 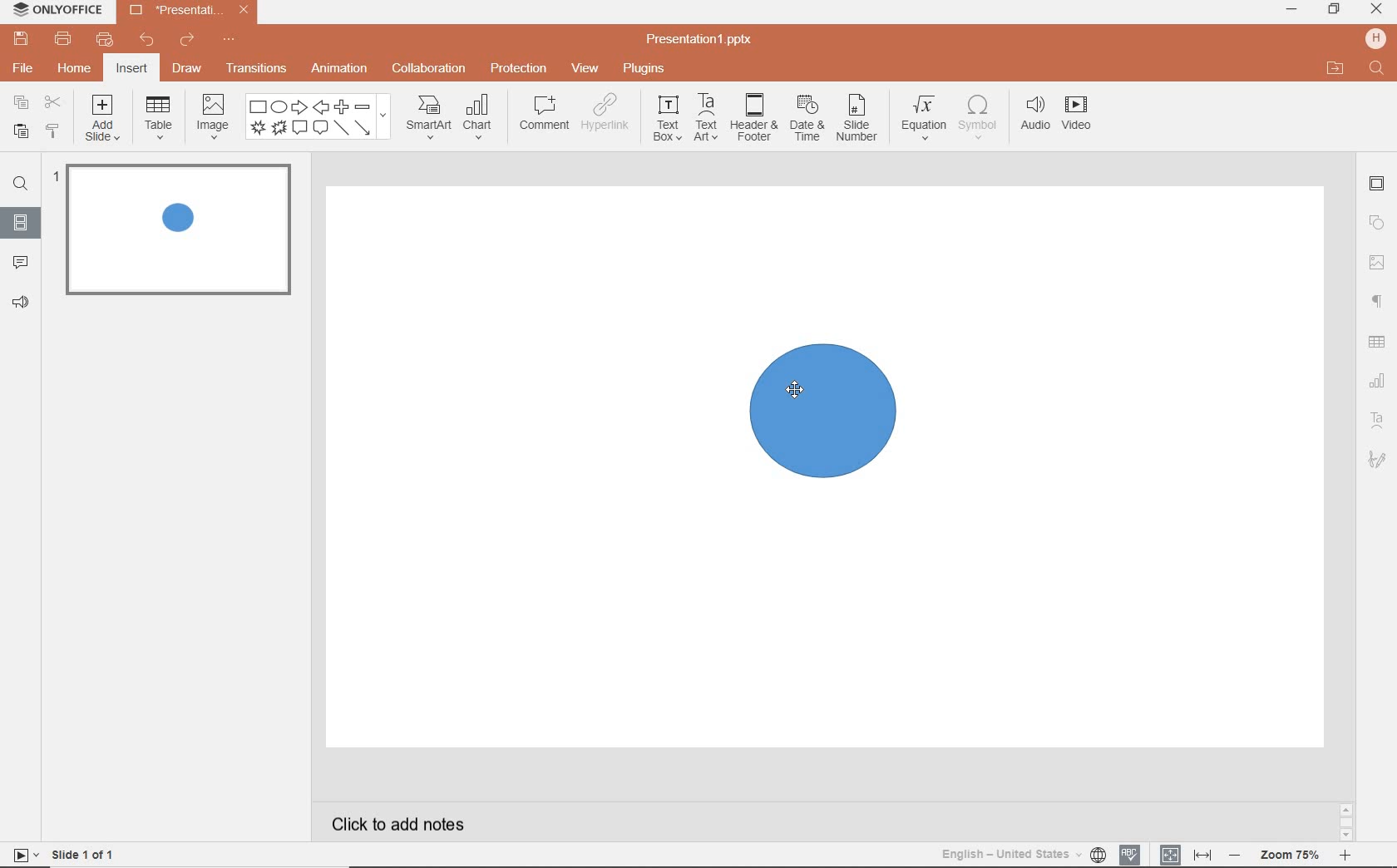 I want to click on copy, so click(x=23, y=104).